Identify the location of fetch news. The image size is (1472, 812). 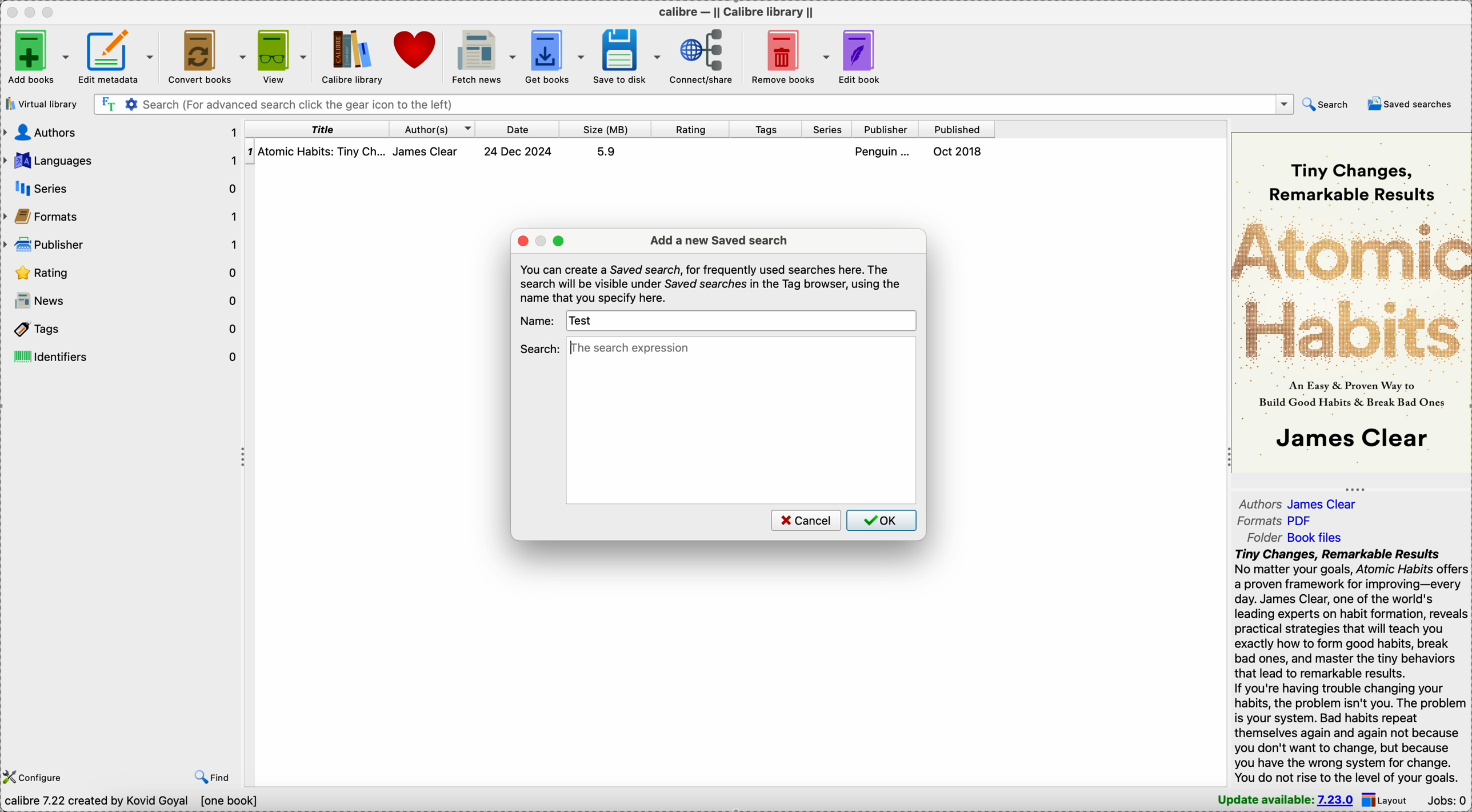
(485, 55).